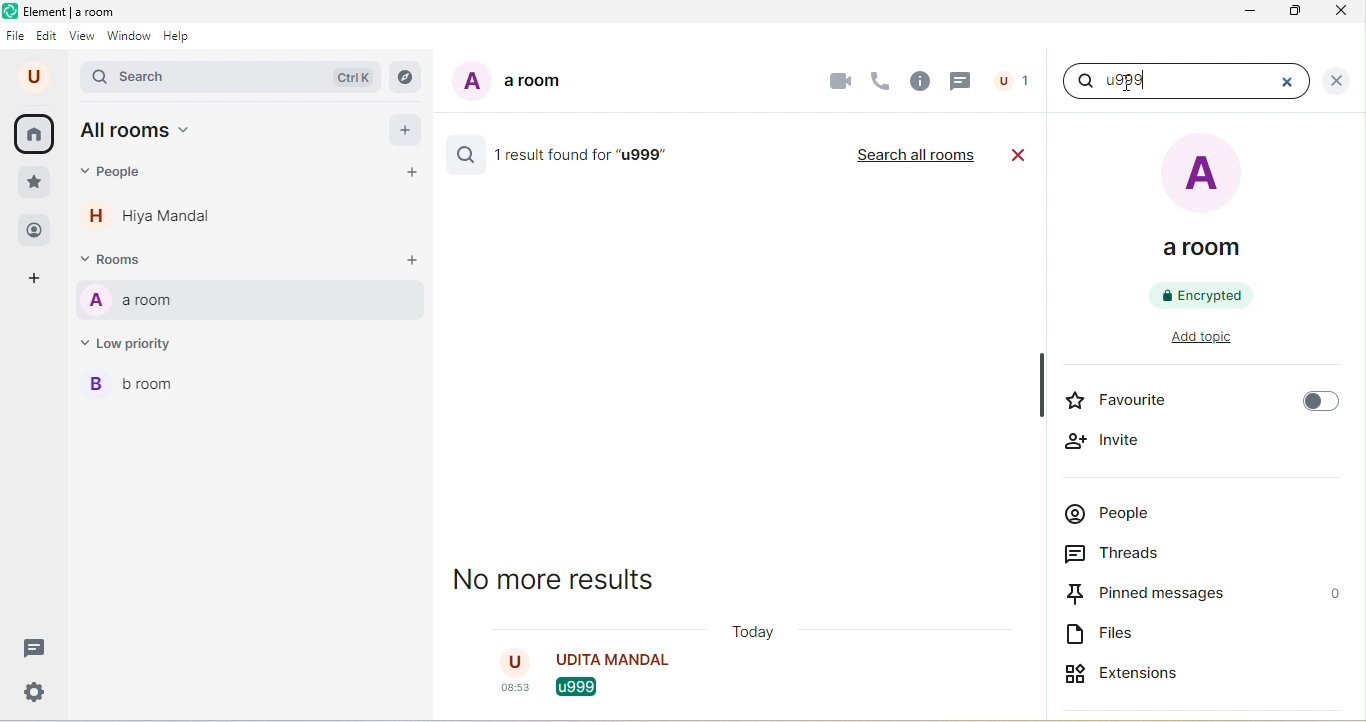  What do you see at coordinates (417, 174) in the screenshot?
I see `start chat` at bounding box center [417, 174].